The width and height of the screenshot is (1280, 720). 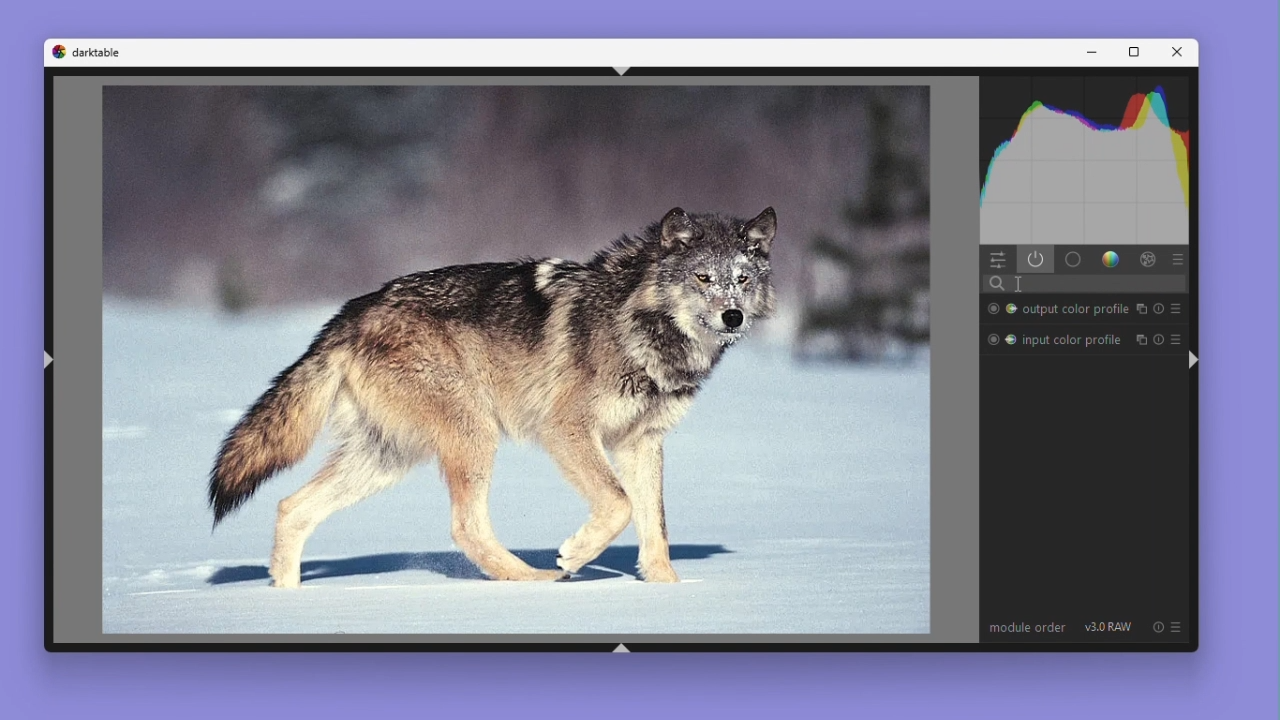 What do you see at coordinates (1035, 260) in the screenshot?
I see `show only active modules` at bounding box center [1035, 260].